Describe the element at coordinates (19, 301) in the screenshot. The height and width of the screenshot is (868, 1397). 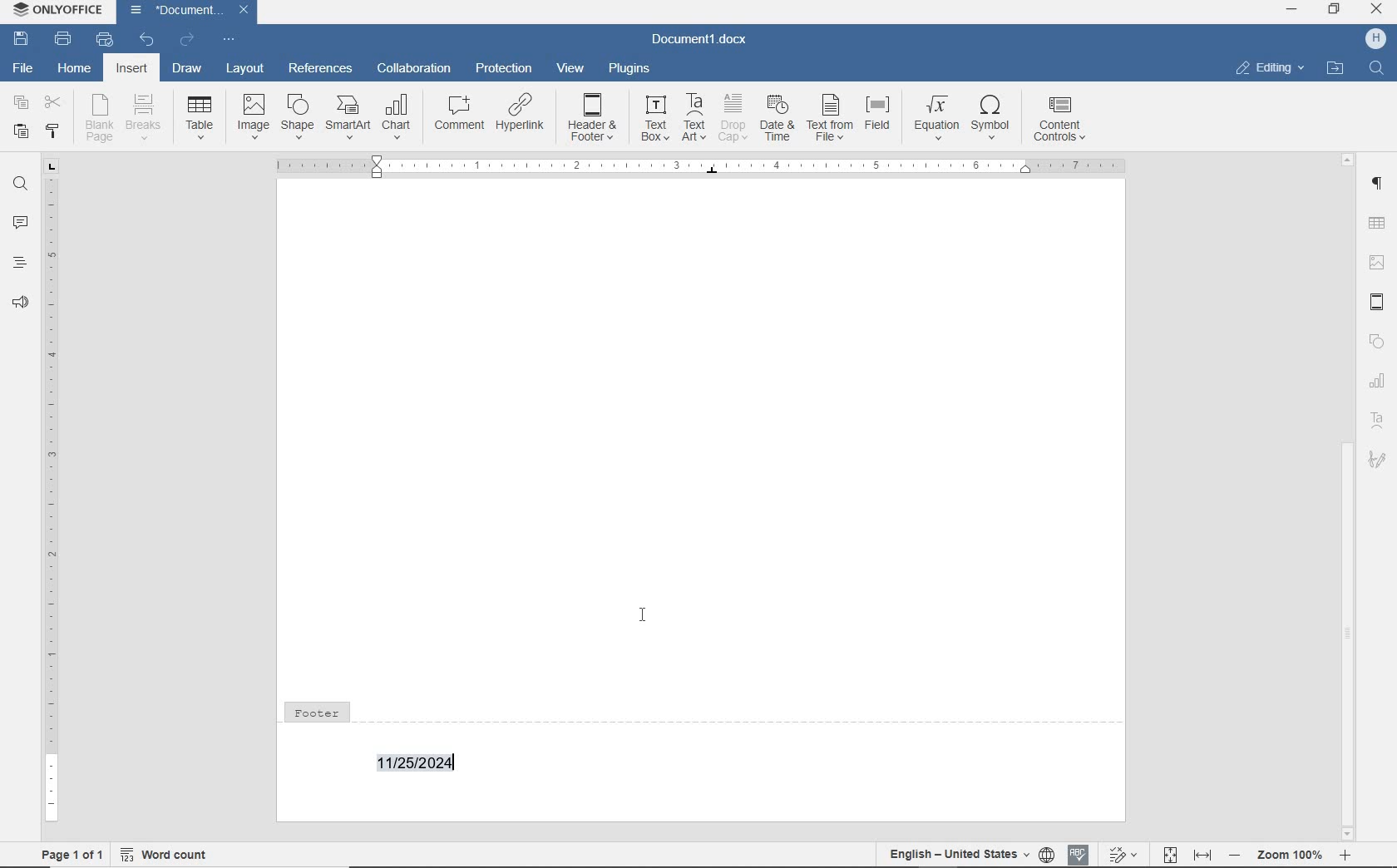
I see `feedback & support` at that location.